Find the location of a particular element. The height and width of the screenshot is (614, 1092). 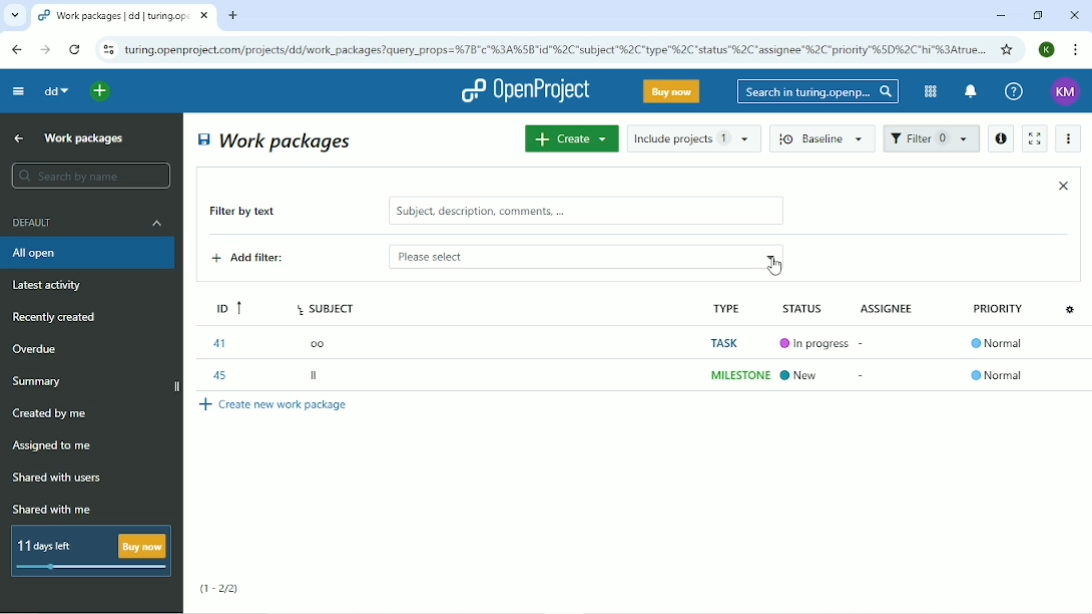

ID is located at coordinates (223, 305).